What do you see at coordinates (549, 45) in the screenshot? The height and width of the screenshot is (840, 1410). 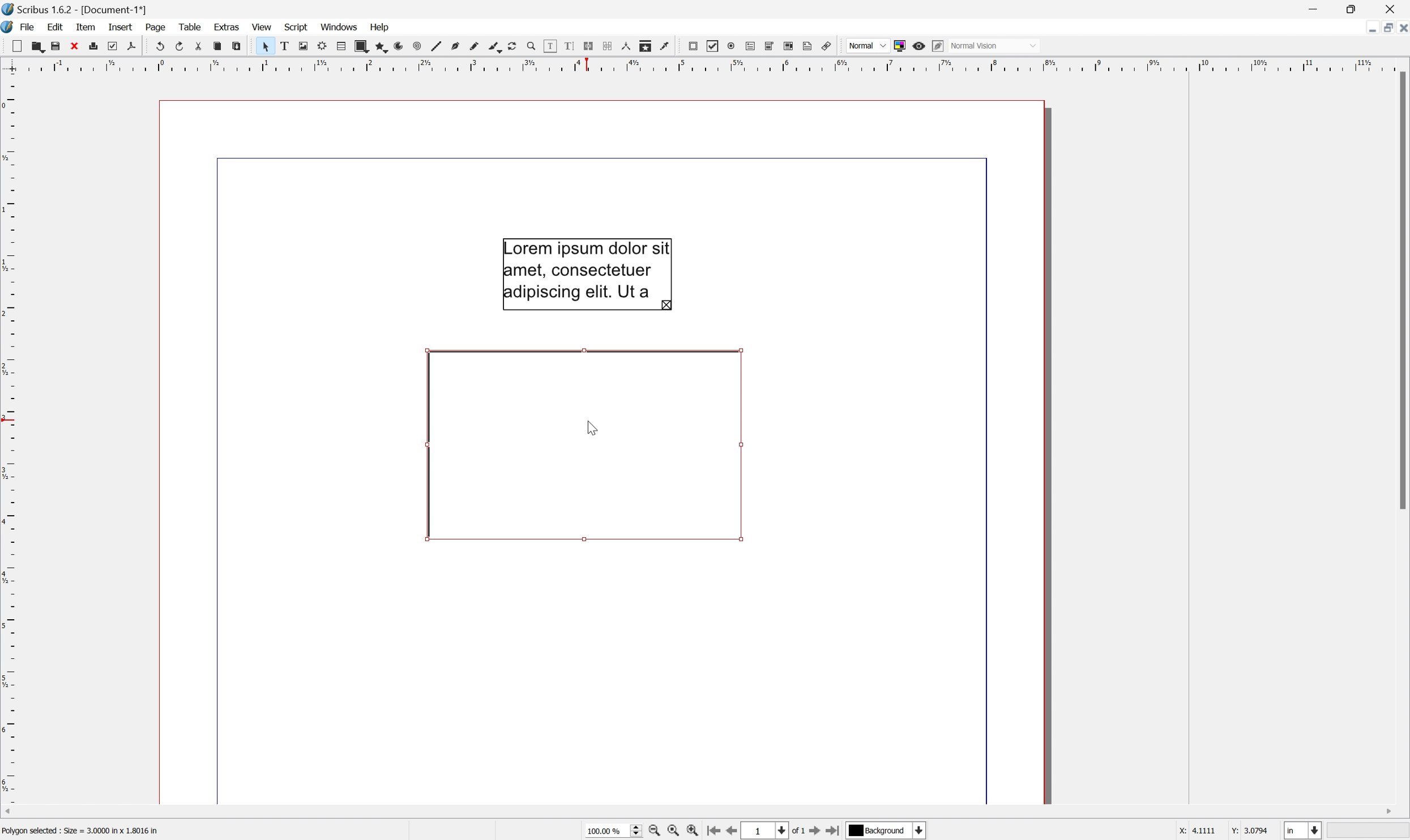 I see `Edit contents of frame` at bounding box center [549, 45].